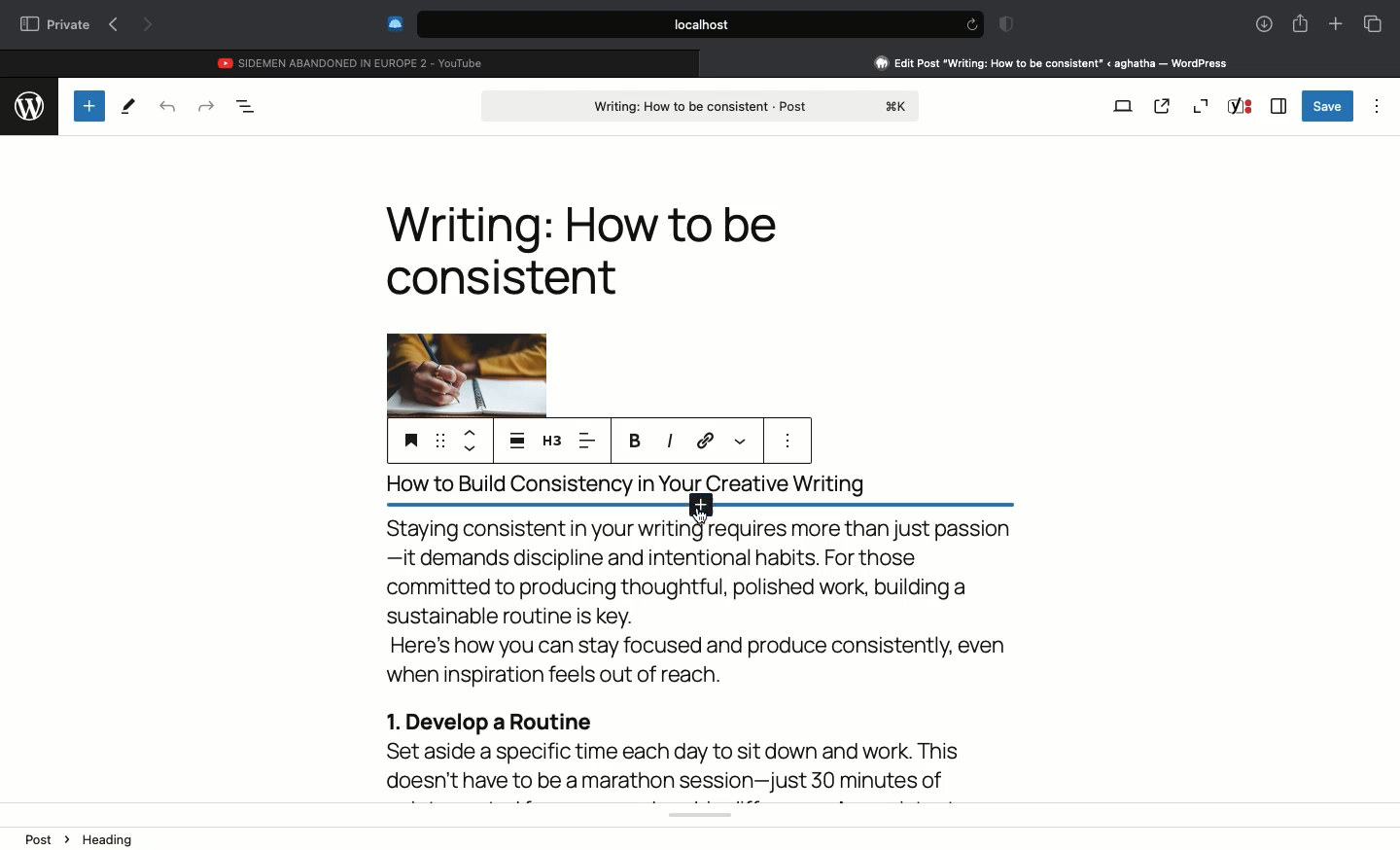  What do you see at coordinates (87, 105) in the screenshot?
I see `Add new block` at bounding box center [87, 105].